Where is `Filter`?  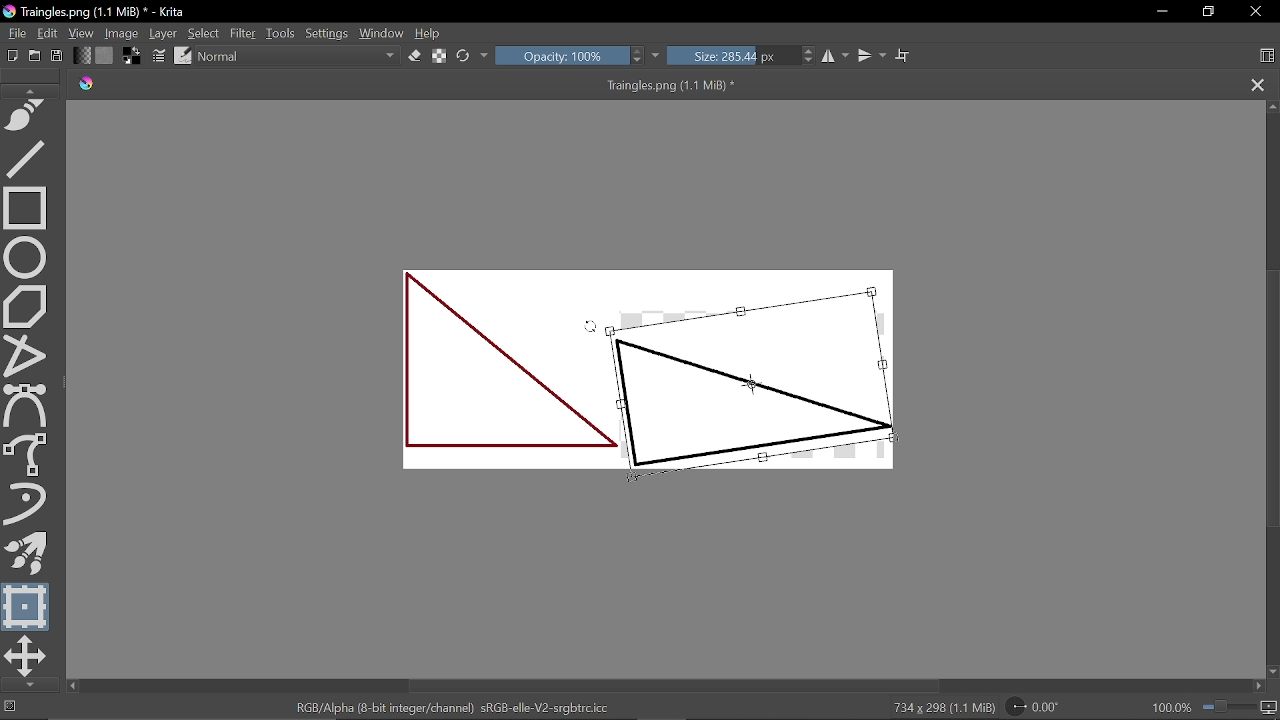 Filter is located at coordinates (242, 33).